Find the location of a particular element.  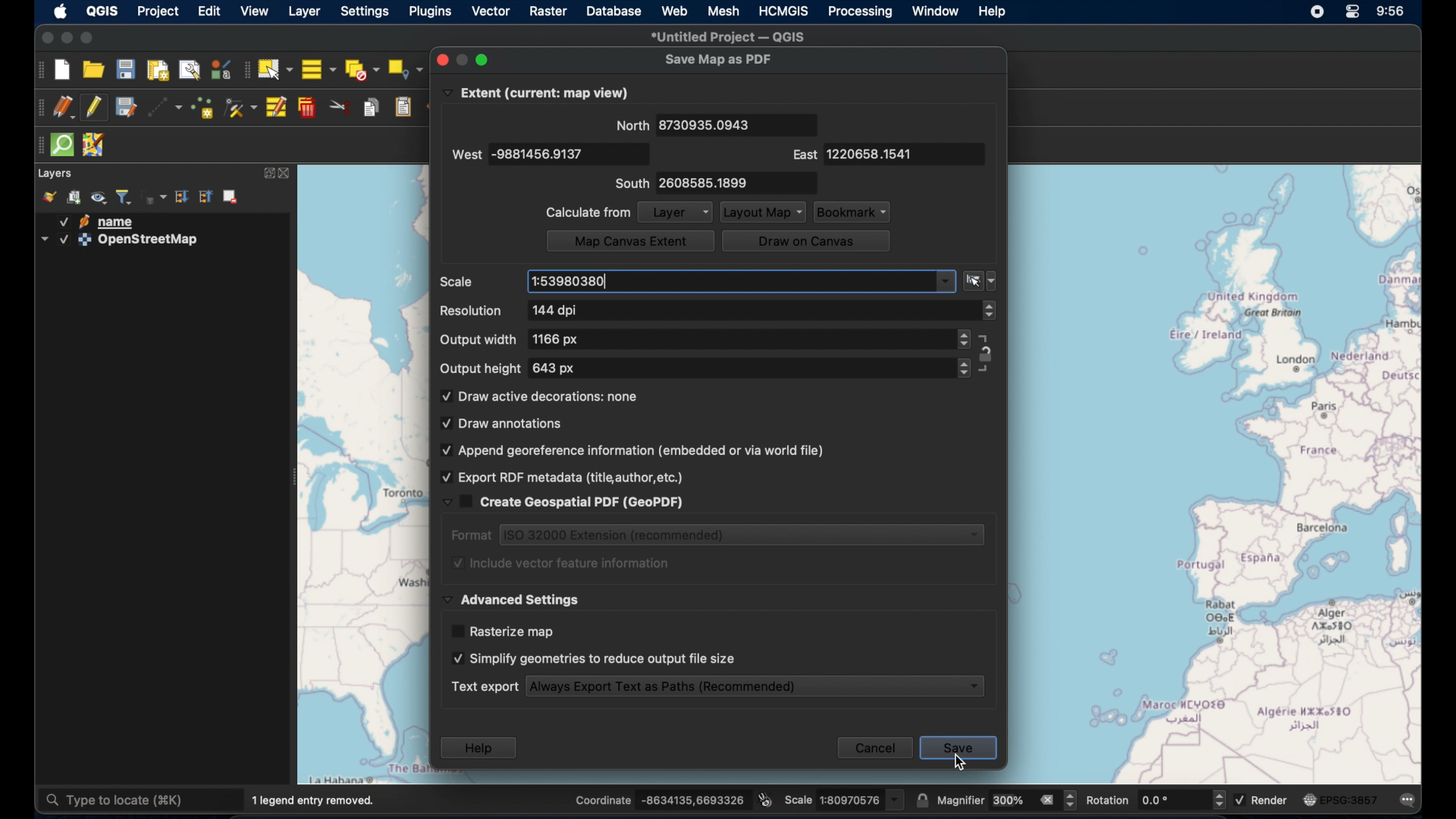

raster is located at coordinates (548, 11).